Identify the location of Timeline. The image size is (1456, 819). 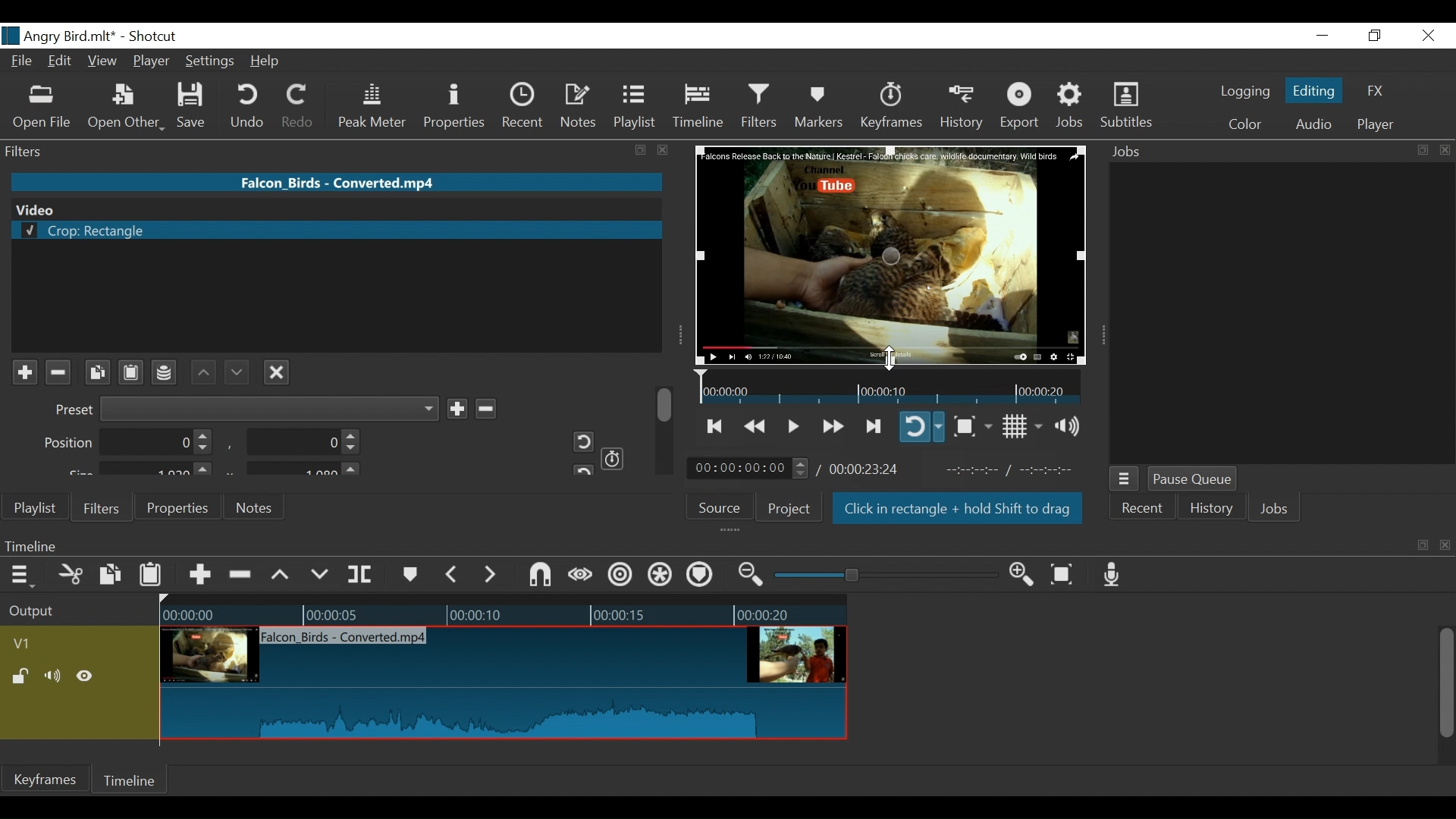
(701, 545).